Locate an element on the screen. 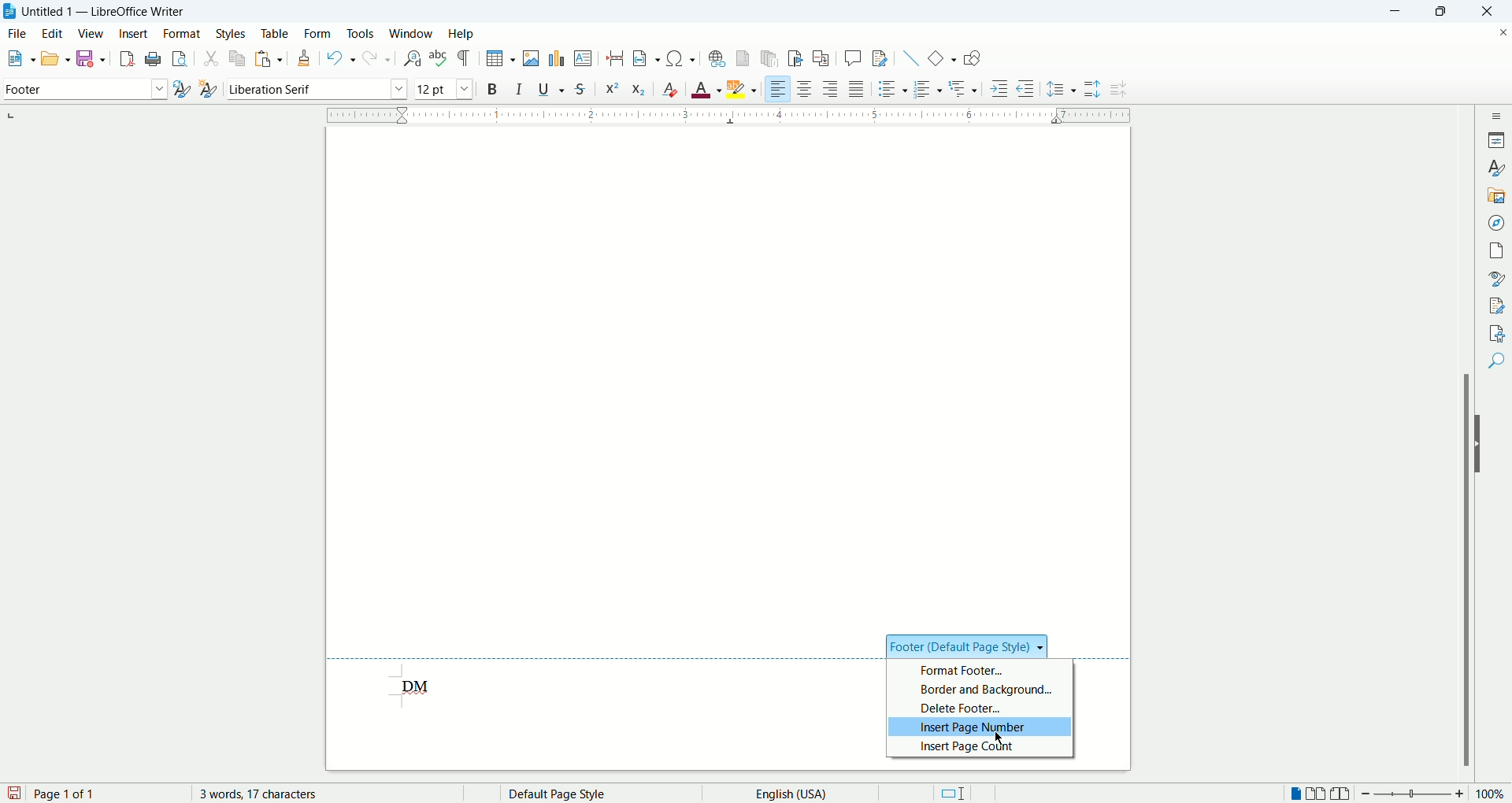 The width and height of the screenshot is (1512, 803). help is located at coordinates (461, 34).